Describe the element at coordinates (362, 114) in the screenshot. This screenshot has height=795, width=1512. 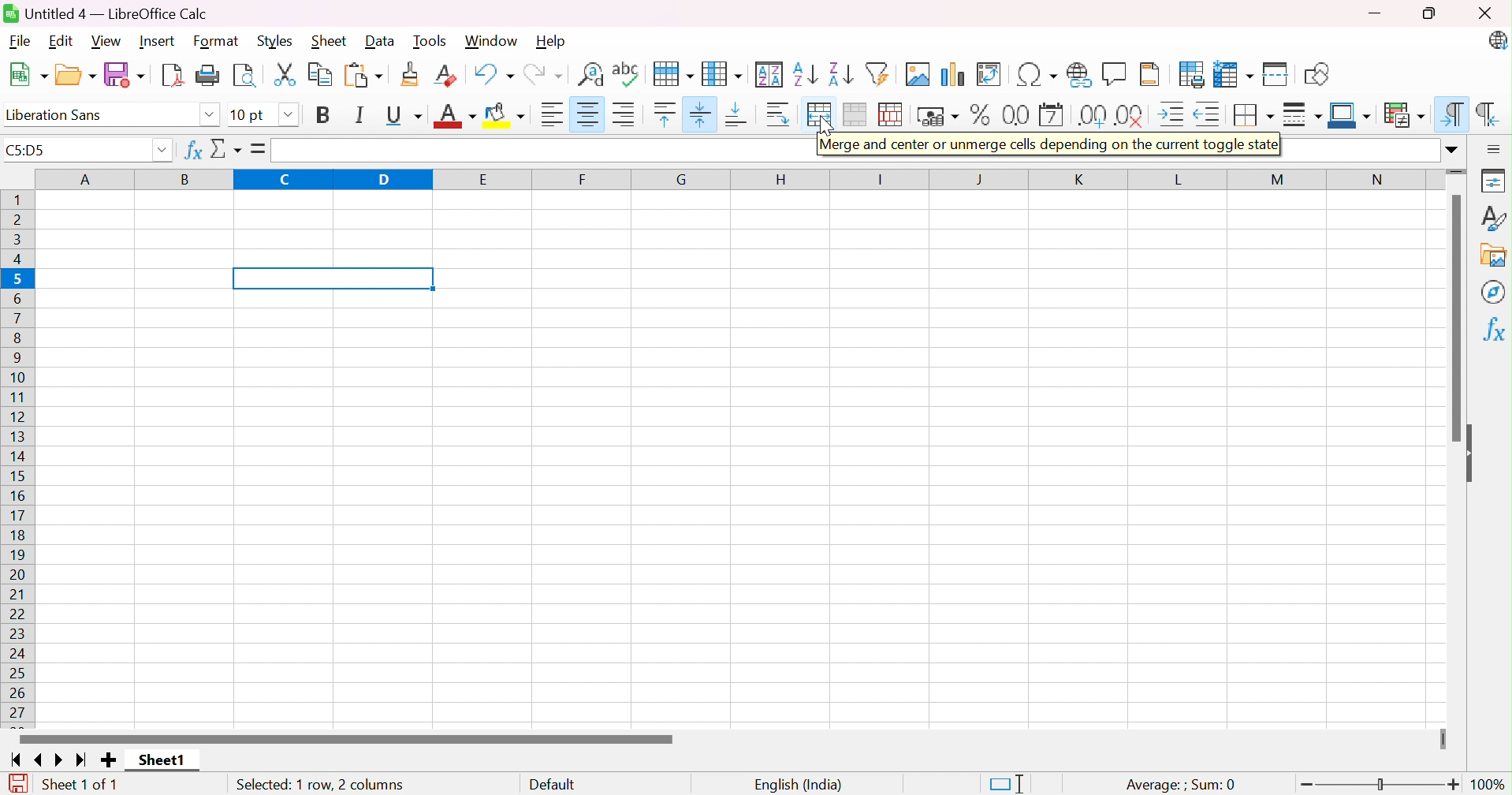
I see `Italic` at that location.